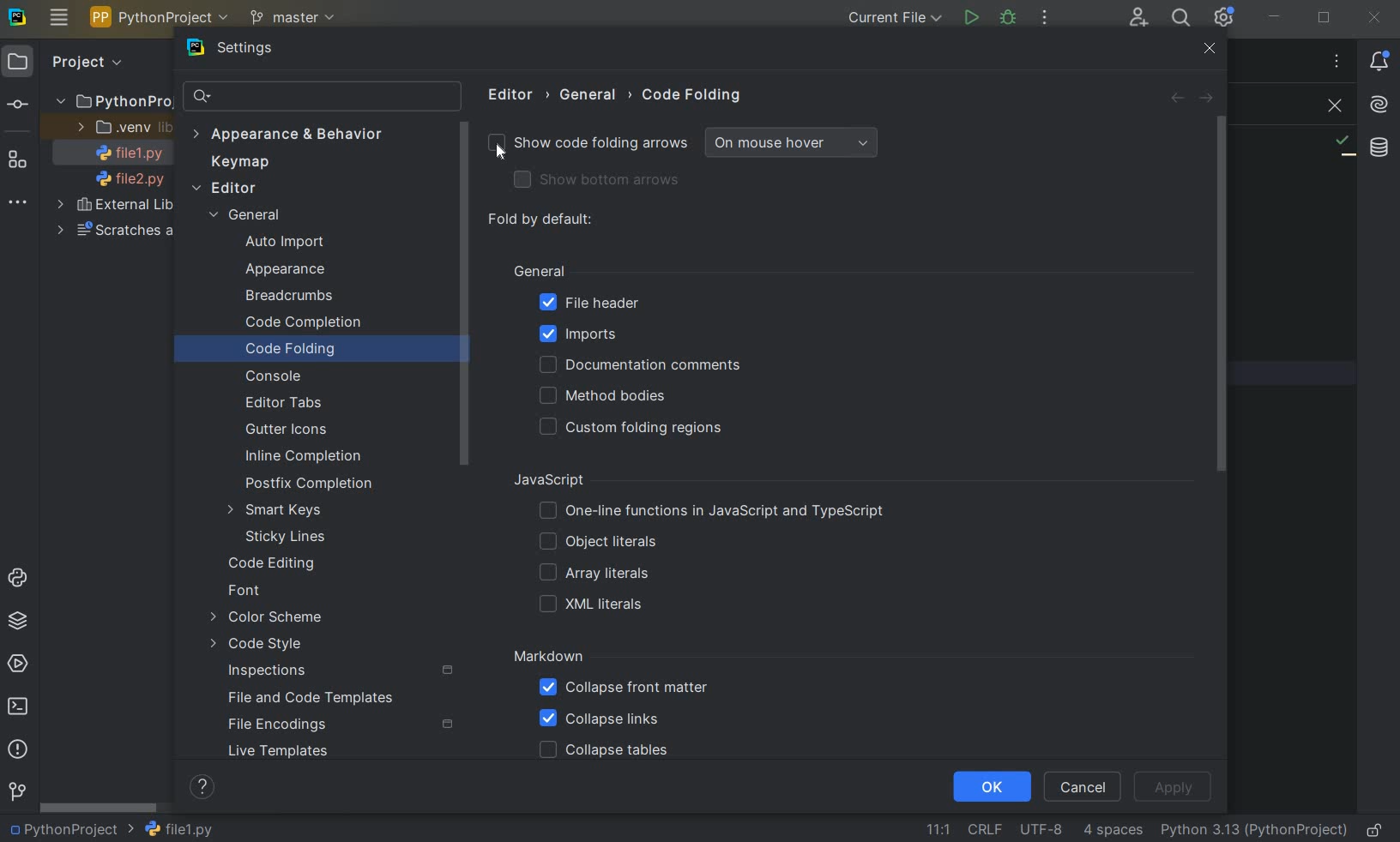  What do you see at coordinates (305, 751) in the screenshot?
I see `LIVE TEMPLATES` at bounding box center [305, 751].